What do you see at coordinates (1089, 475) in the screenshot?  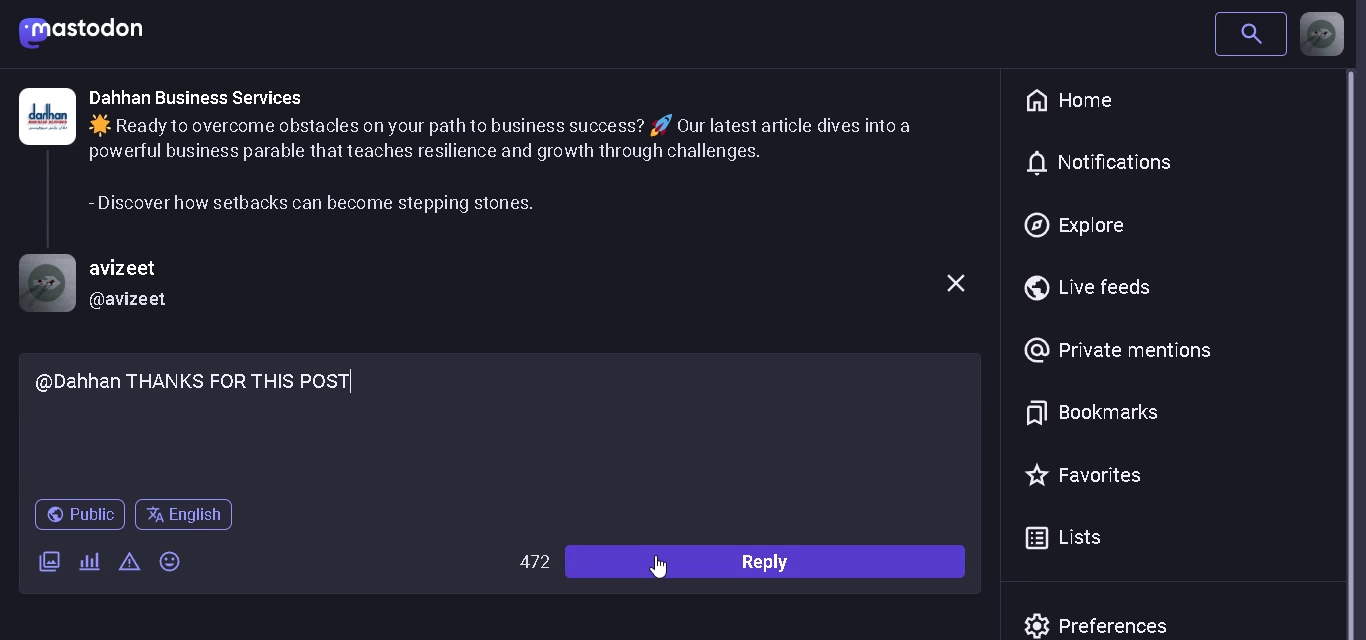 I see `favorites` at bounding box center [1089, 475].